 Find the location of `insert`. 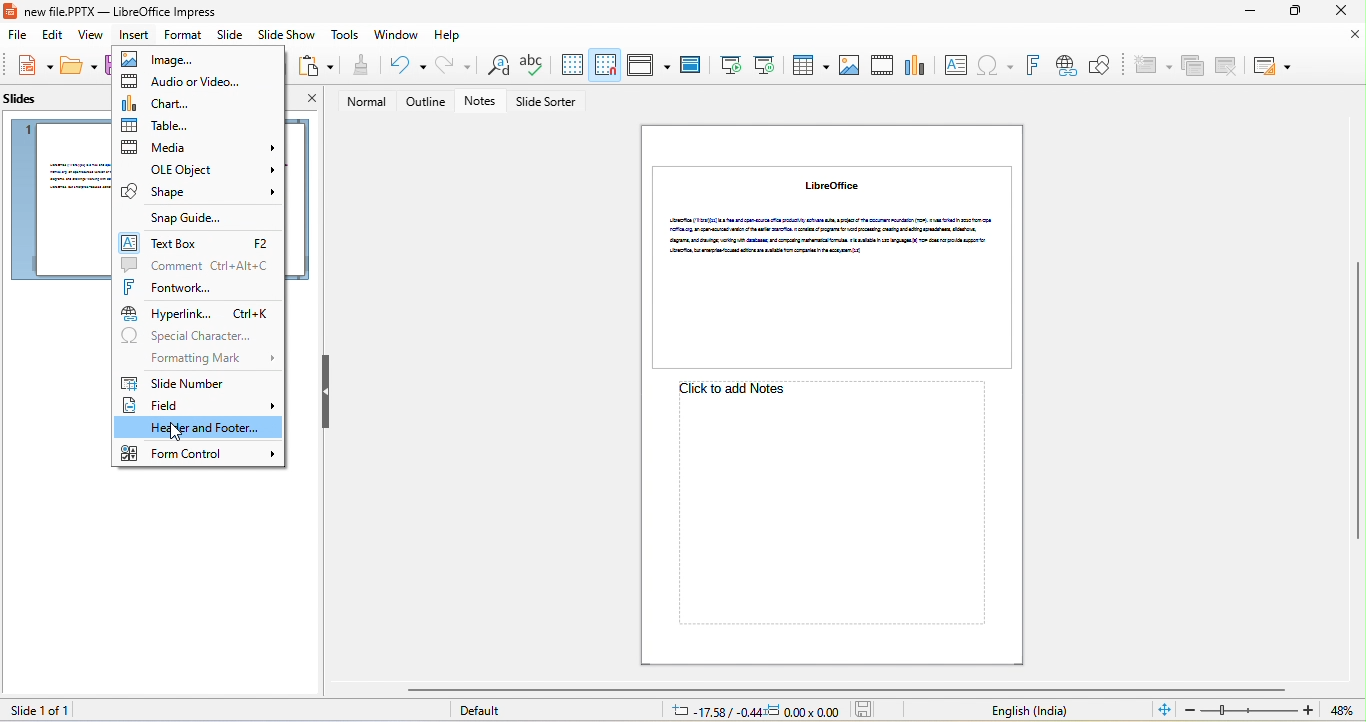

insert is located at coordinates (135, 36).